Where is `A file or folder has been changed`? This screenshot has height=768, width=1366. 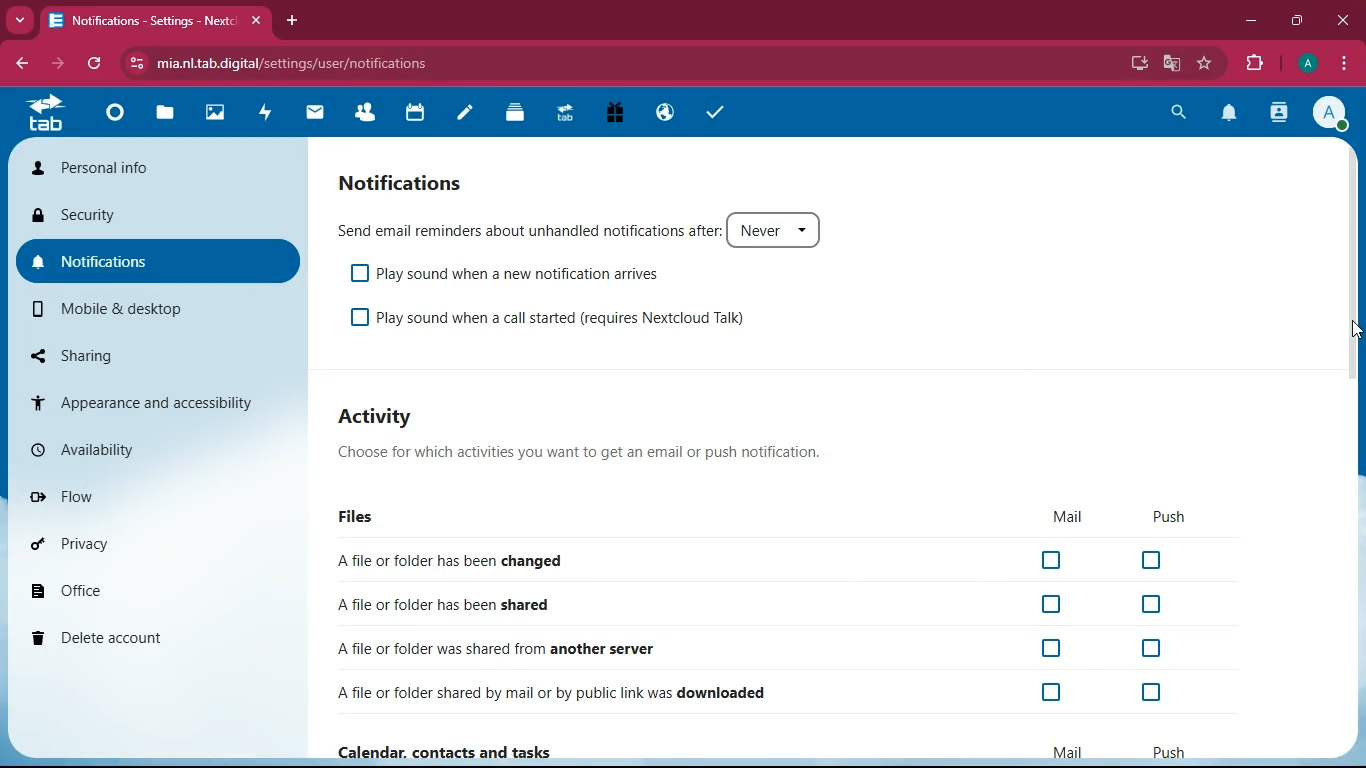
A file or folder has been changed is located at coordinates (454, 559).